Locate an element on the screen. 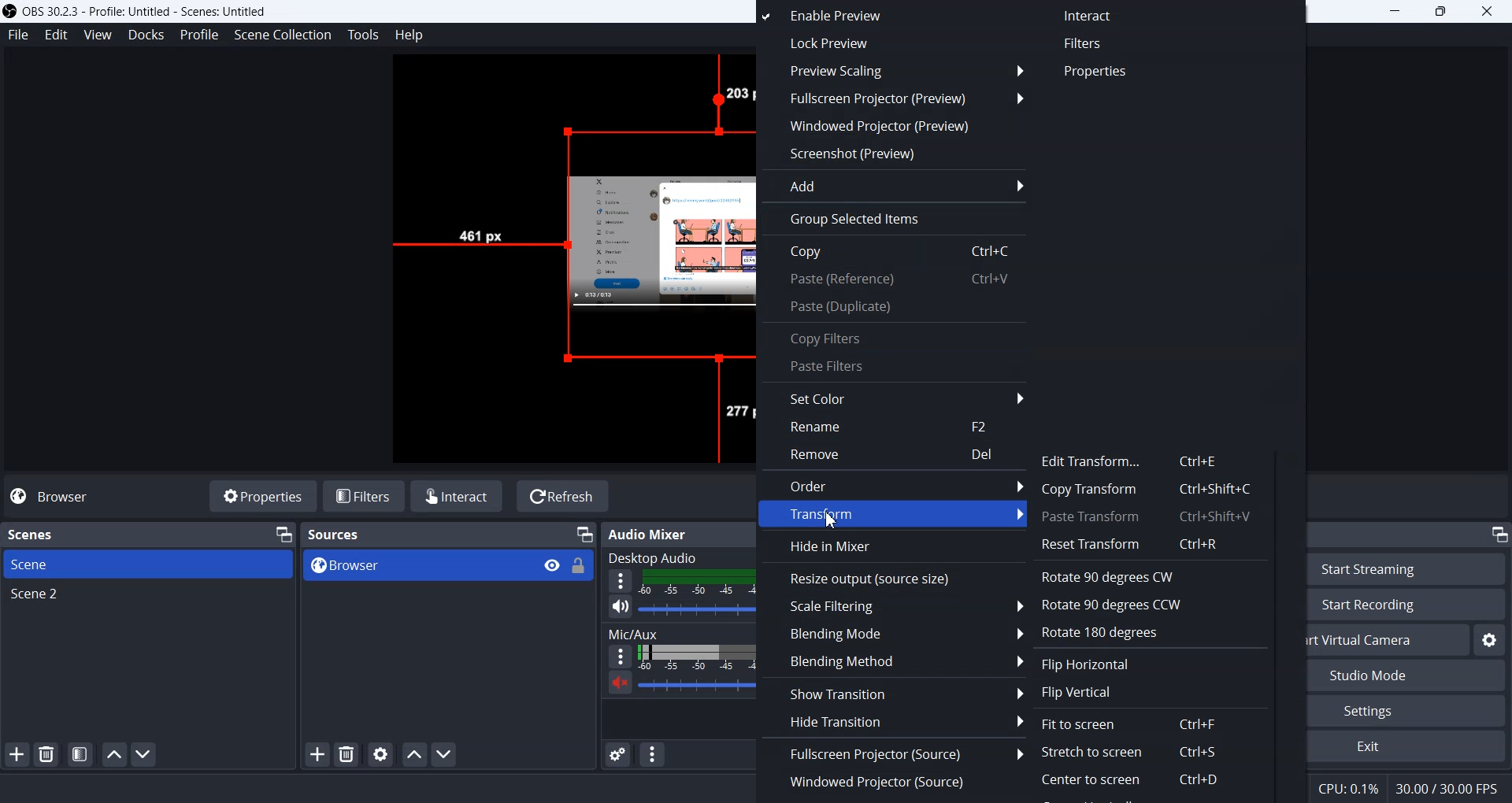 The width and height of the screenshot is (1512, 803). Fullscreen Projector is located at coordinates (895, 98).